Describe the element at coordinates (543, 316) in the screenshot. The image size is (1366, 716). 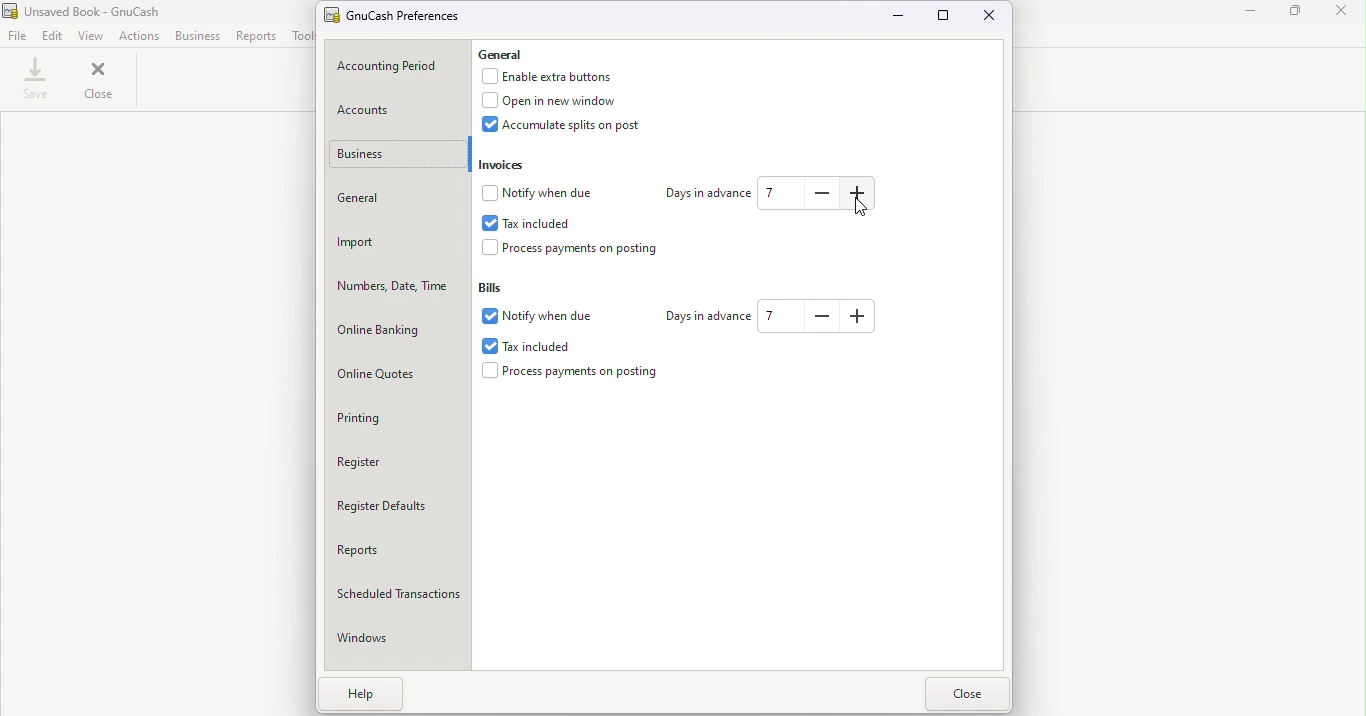
I see `Notify when due` at that location.